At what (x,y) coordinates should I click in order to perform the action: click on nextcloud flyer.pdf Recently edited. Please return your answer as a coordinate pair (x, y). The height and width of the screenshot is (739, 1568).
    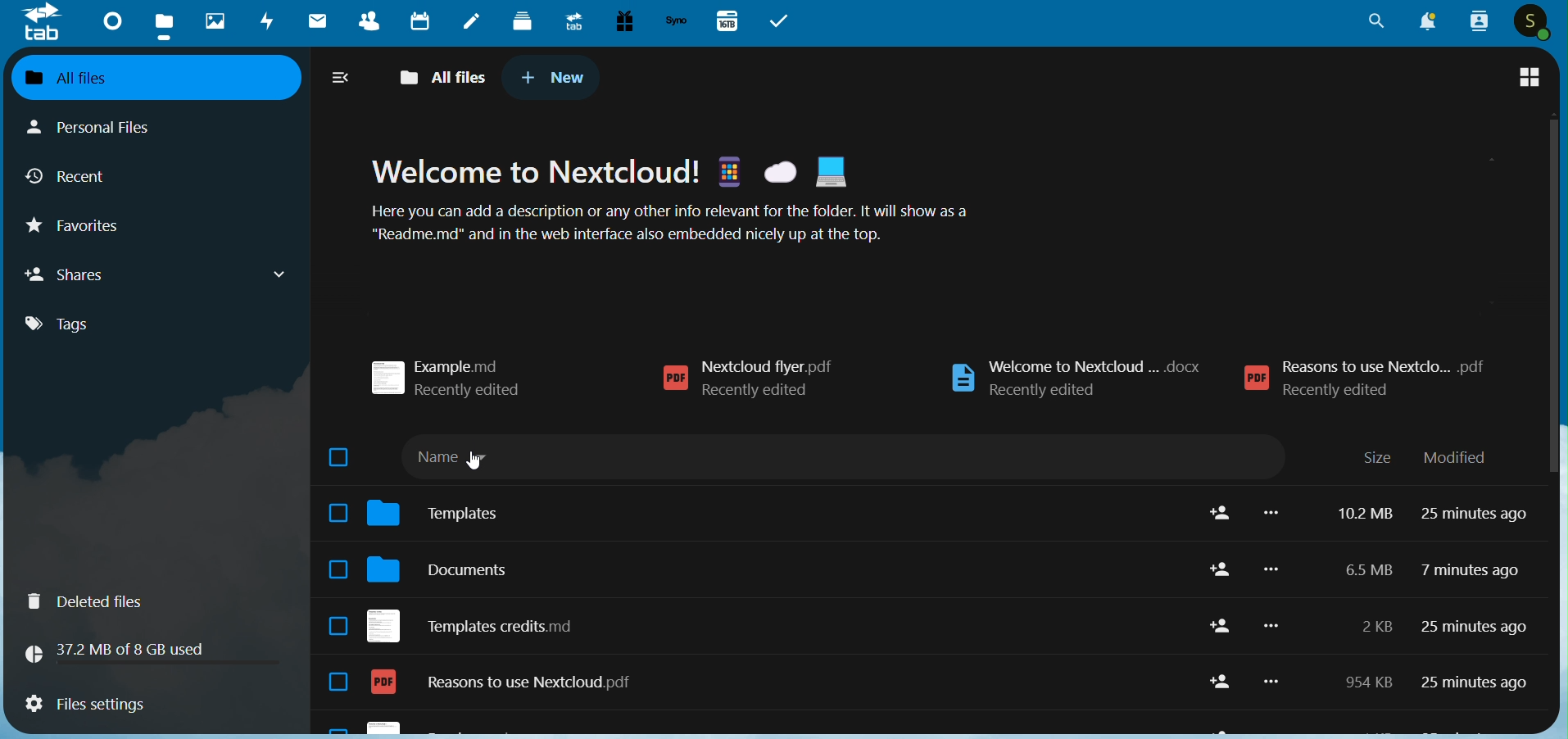
    Looking at the image, I should click on (795, 382).